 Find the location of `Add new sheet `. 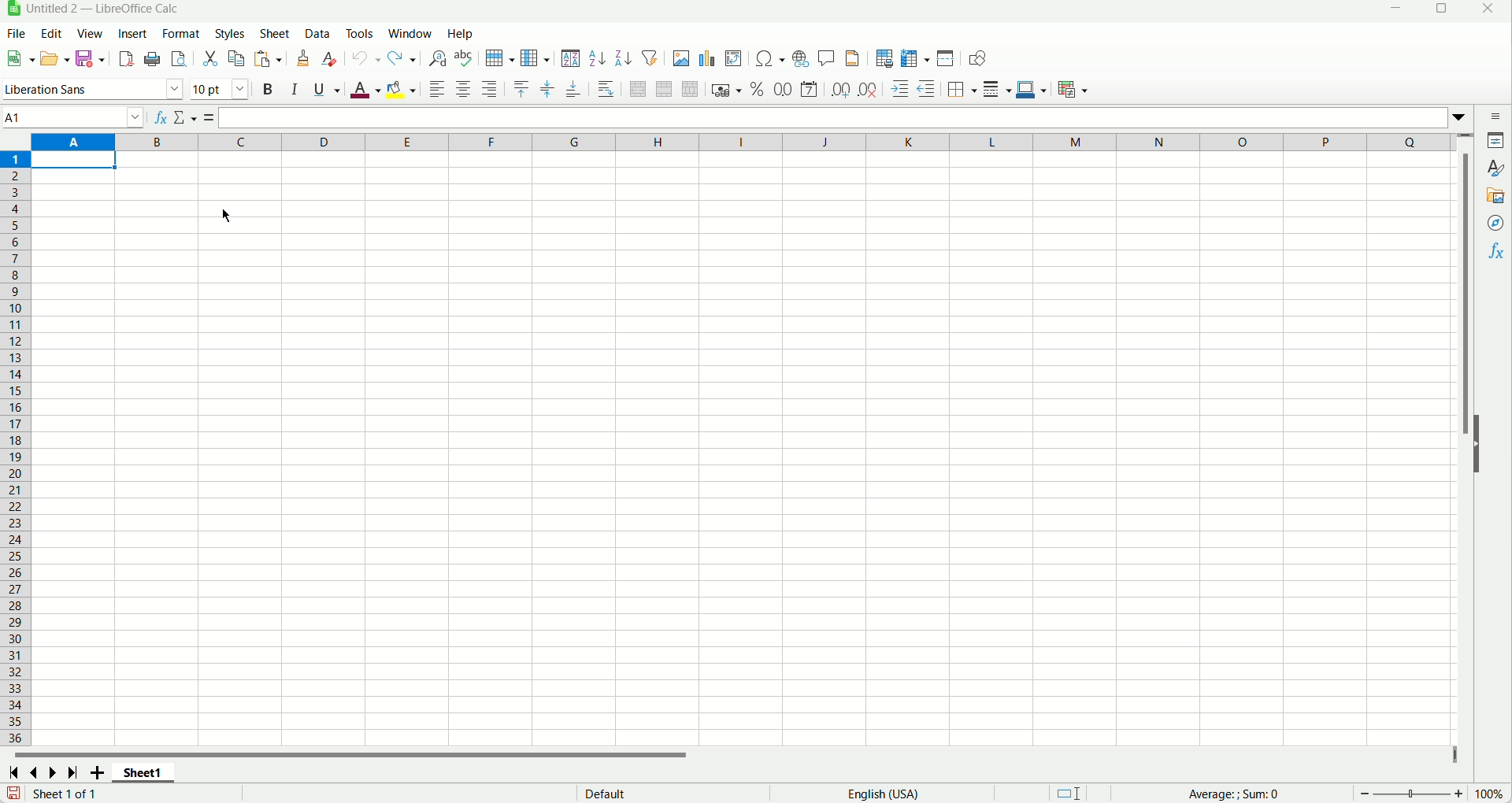

Add new sheet  is located at coordinates (97, 775).